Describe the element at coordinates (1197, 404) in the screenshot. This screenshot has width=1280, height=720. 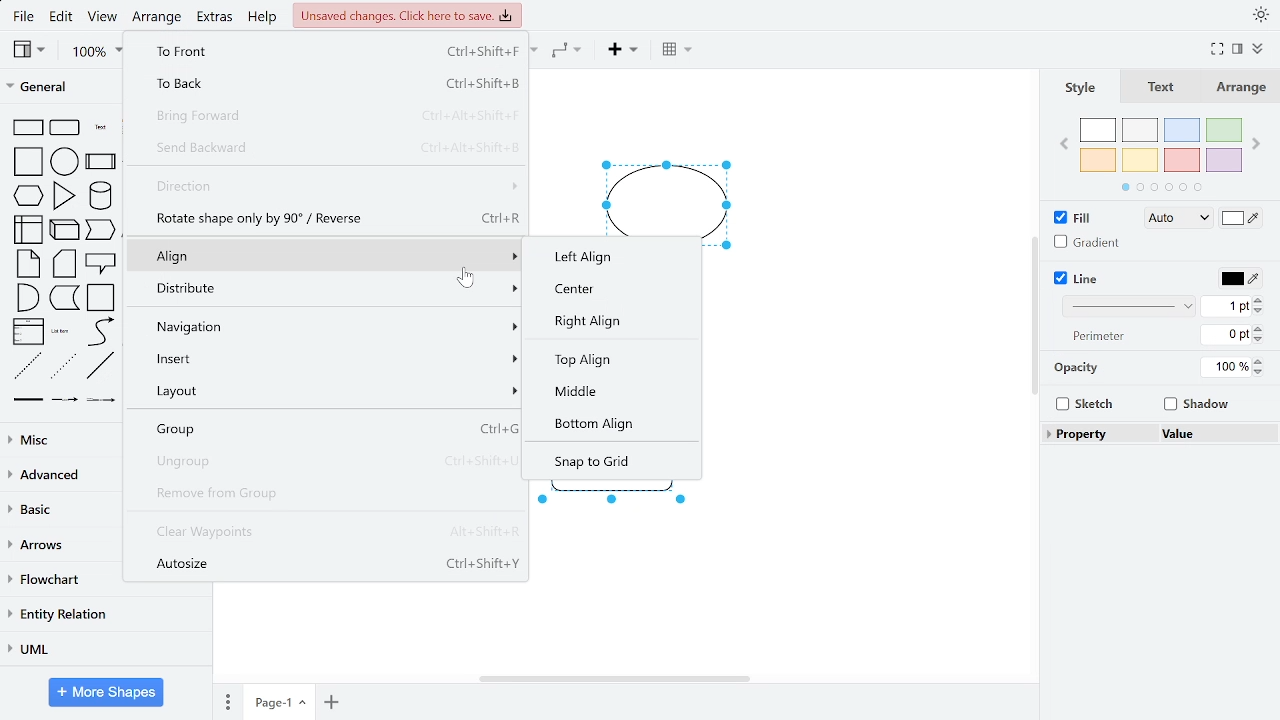
I see `Shadow` at that location.